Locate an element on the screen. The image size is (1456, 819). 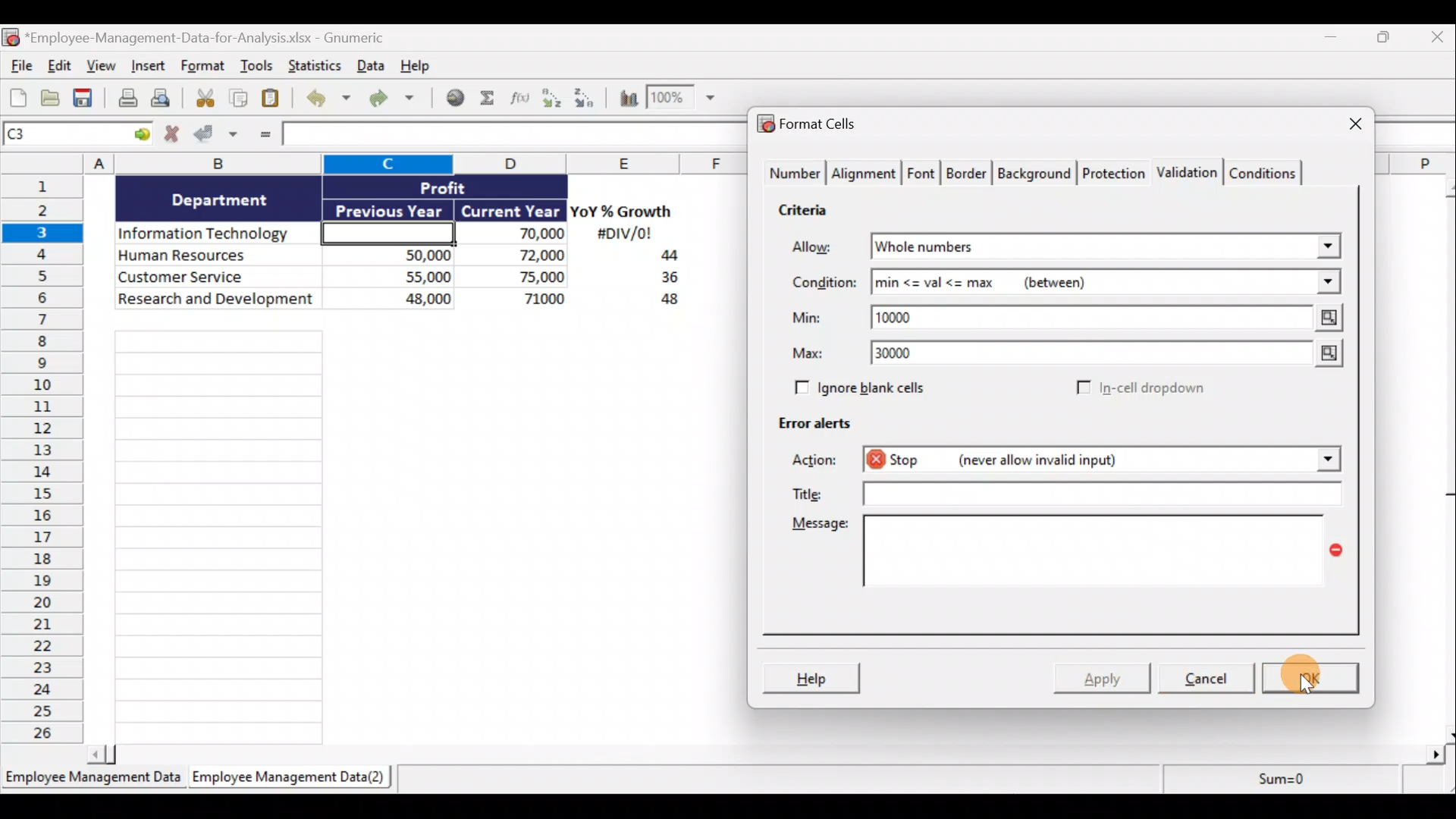
Allow is located at coordinates (823, 248).